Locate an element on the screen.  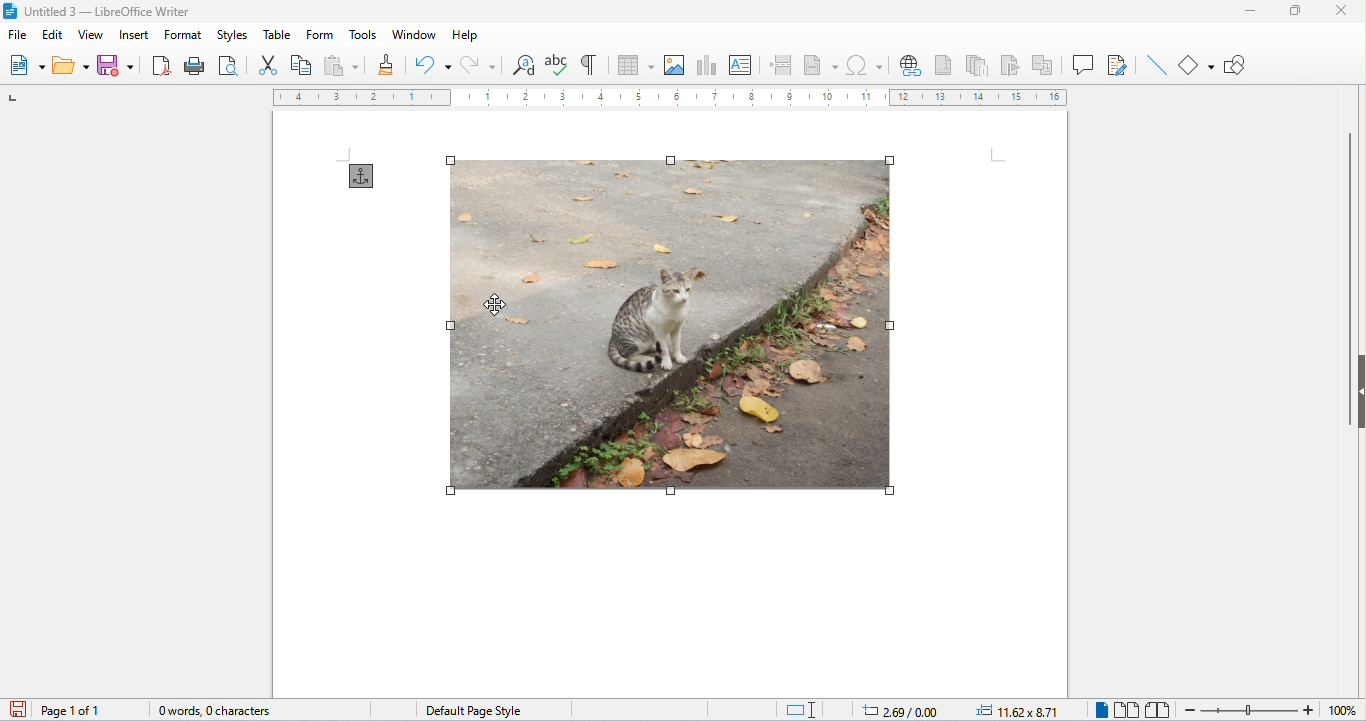
paste is located at coordinates (341, 65).